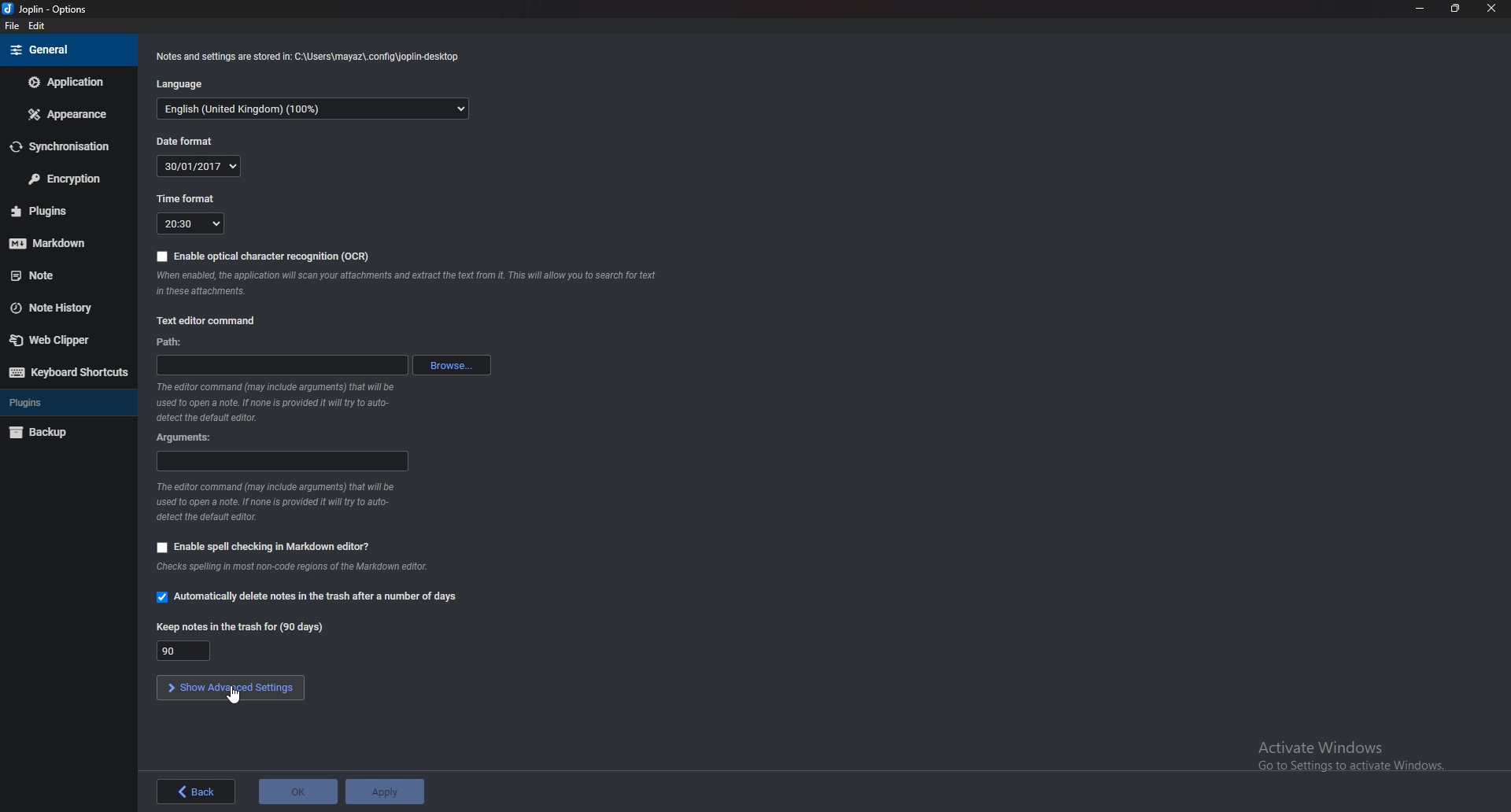 The width and height of the screenshot is (1511, 812). I want to click on Automatically delete notes, so click(310, 599).